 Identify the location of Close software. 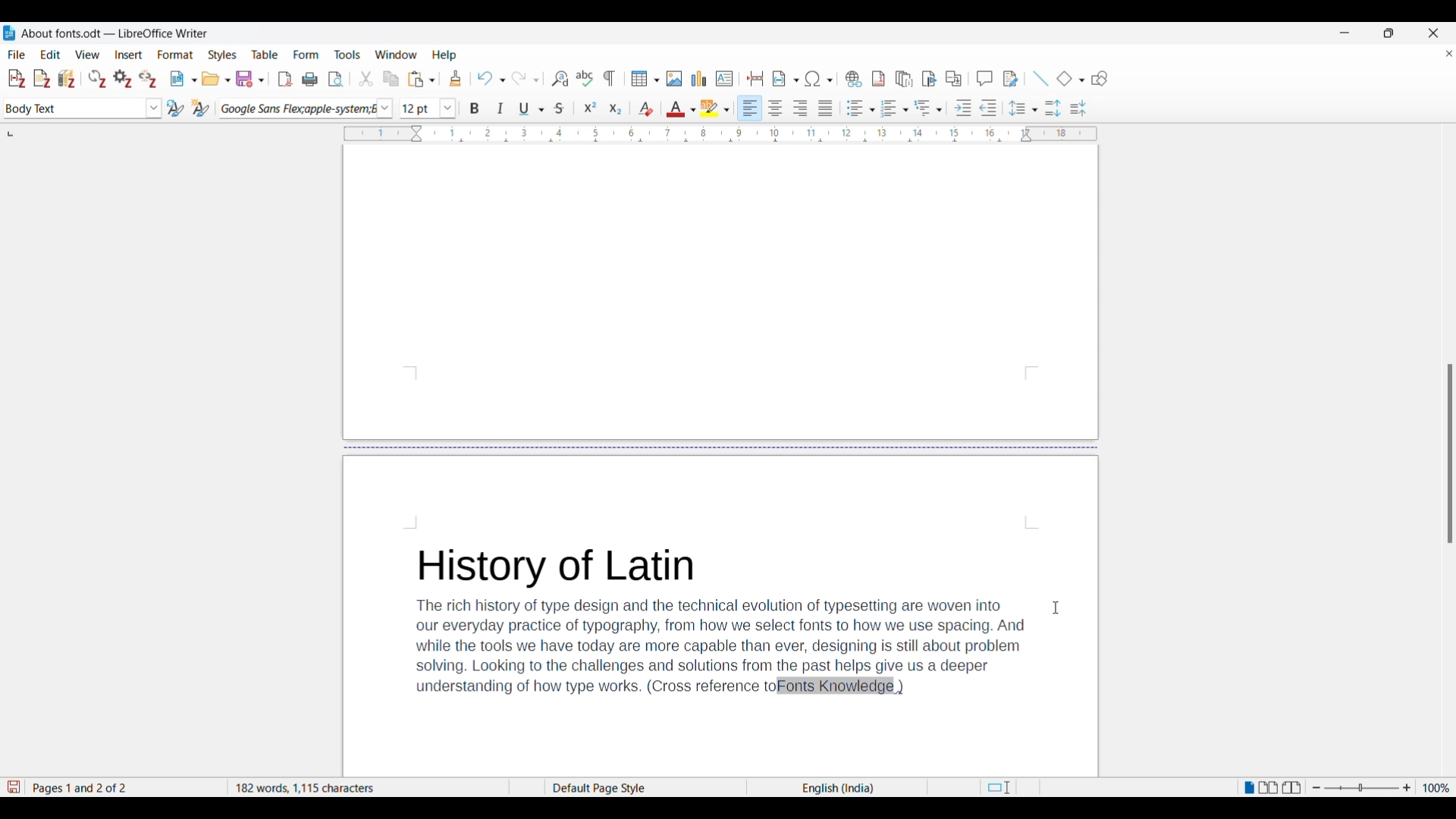
(1433, 33).